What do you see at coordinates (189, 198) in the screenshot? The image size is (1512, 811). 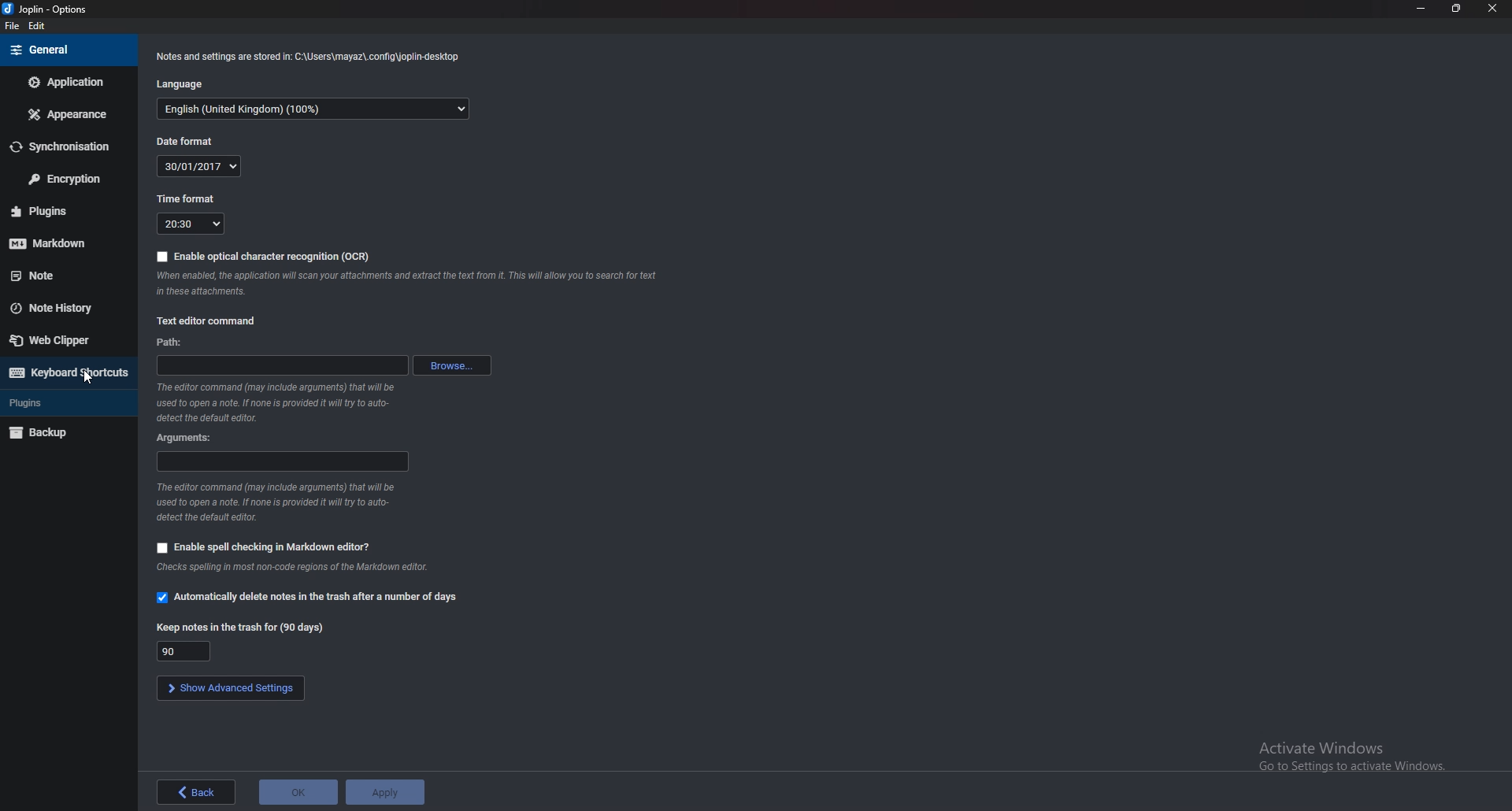 I see `Time format` at bounding box center [189, 198].